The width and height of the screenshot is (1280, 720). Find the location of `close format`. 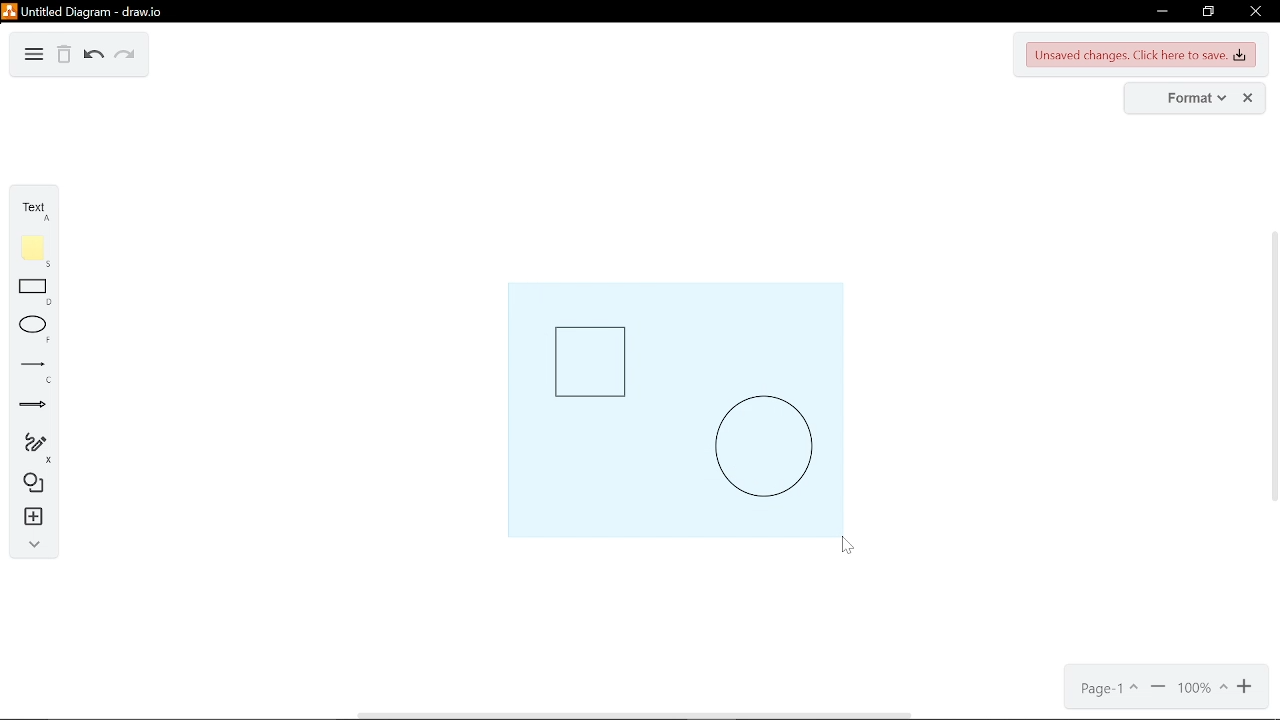

close format is located at coordinates (1247, 98).